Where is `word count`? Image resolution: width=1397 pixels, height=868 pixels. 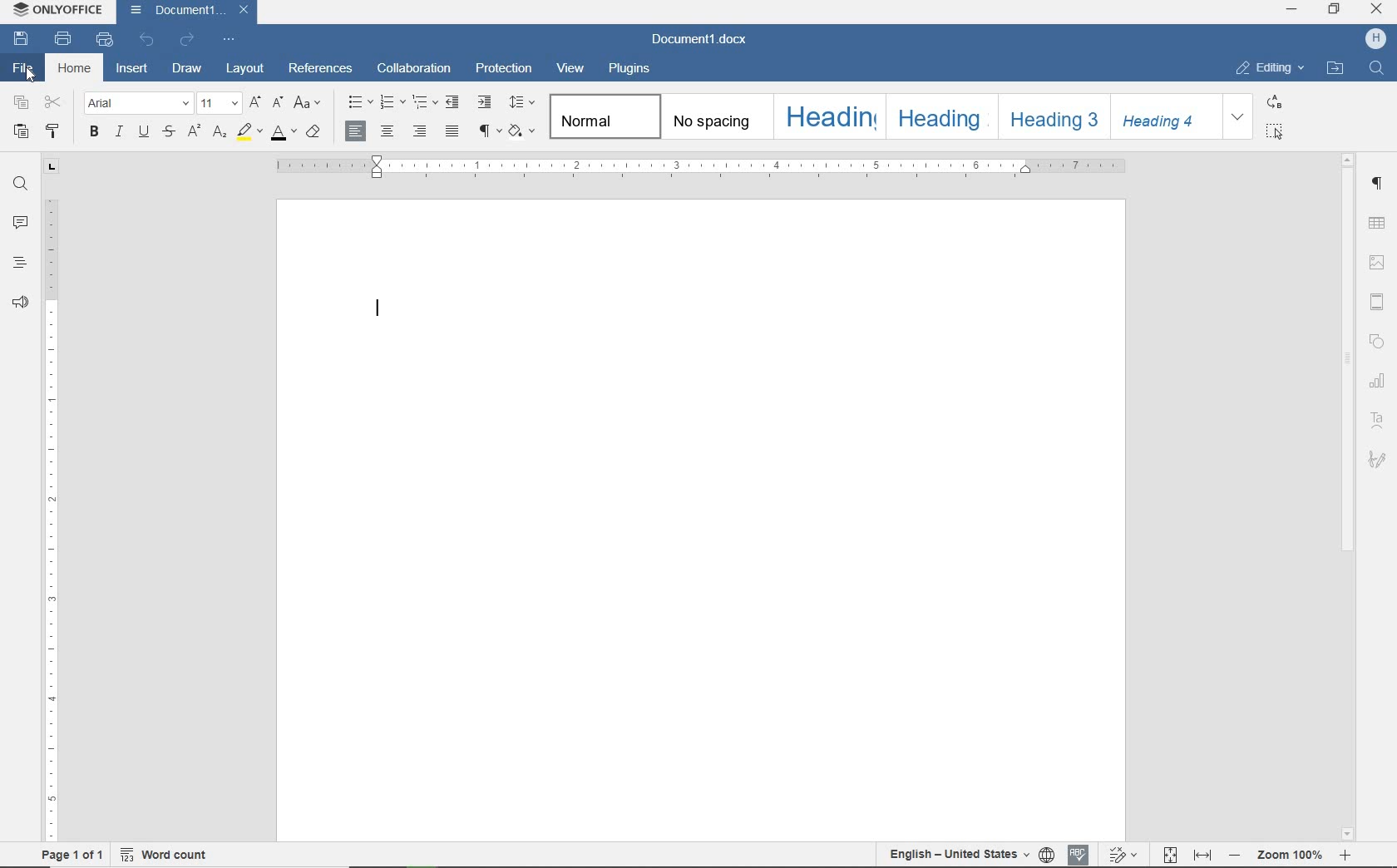
word count is located at coordinates (166, 854).